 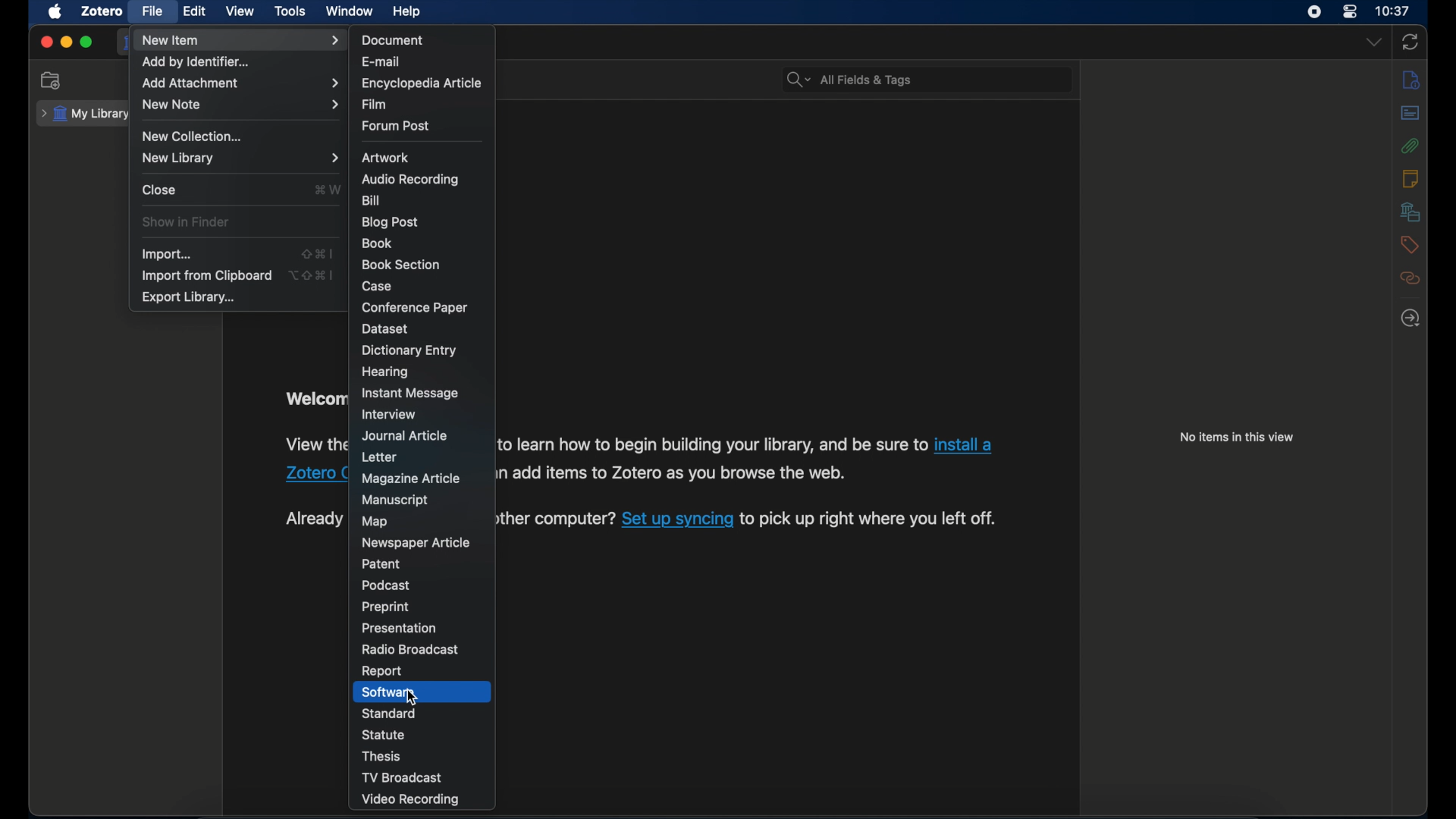 I want to click on late, so click(x=1410, y=318).